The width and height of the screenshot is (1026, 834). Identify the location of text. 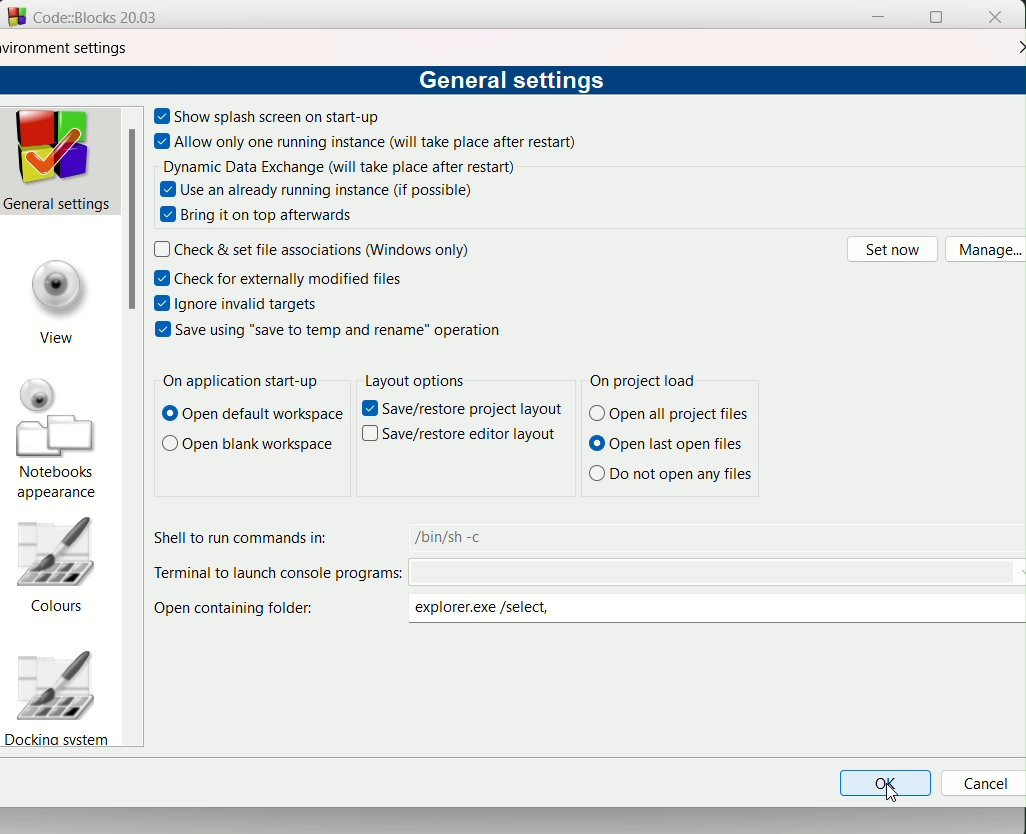
(254, 304).